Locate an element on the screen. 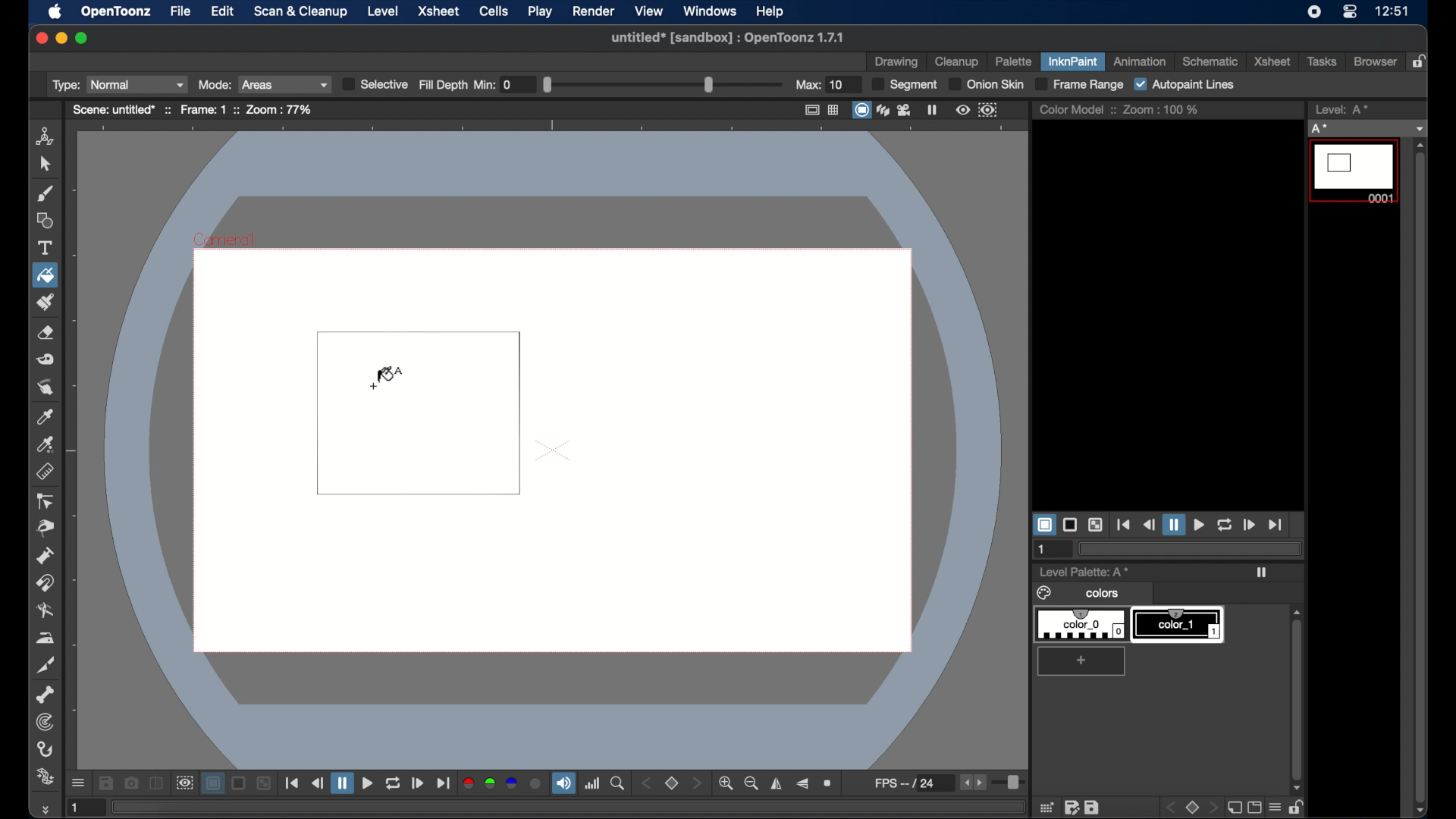 This screenshot has height=819, width=1456. rewind is located at coordinates (317, 783).